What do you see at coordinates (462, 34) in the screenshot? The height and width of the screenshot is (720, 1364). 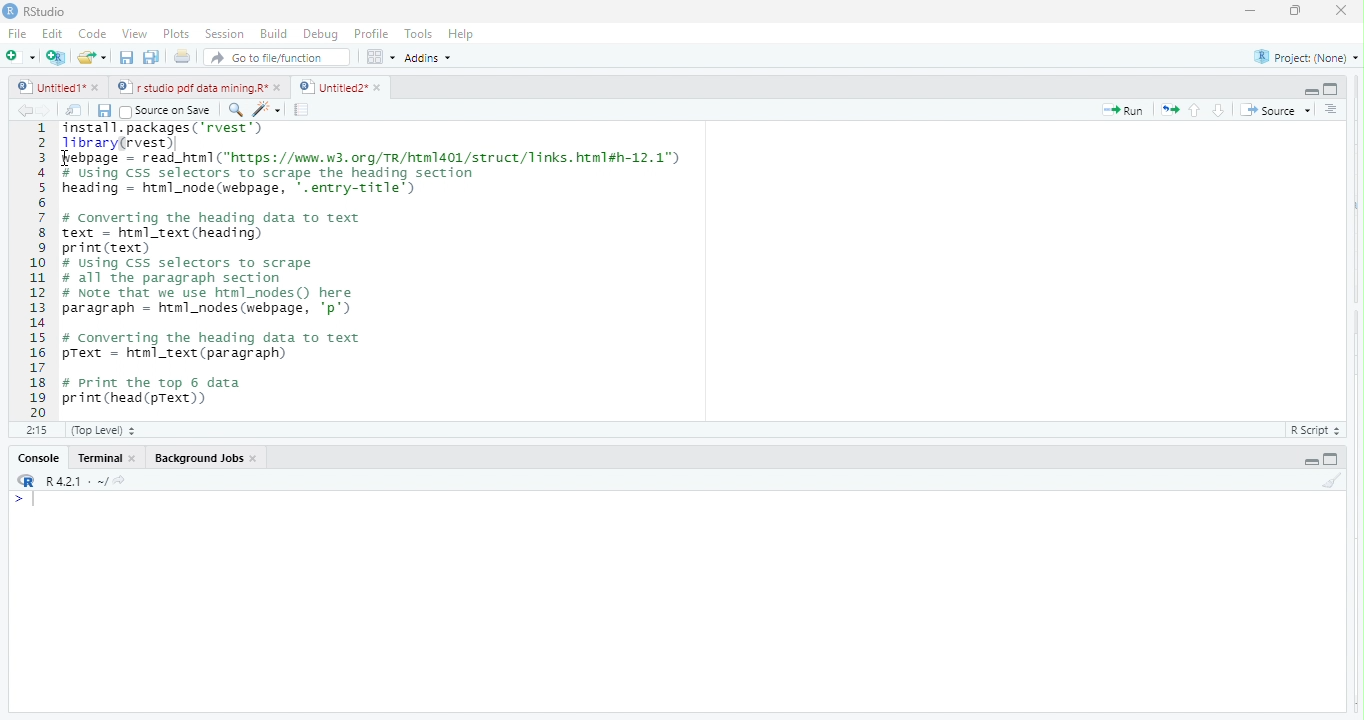 I see `Help` at bounding box center [462, 34].